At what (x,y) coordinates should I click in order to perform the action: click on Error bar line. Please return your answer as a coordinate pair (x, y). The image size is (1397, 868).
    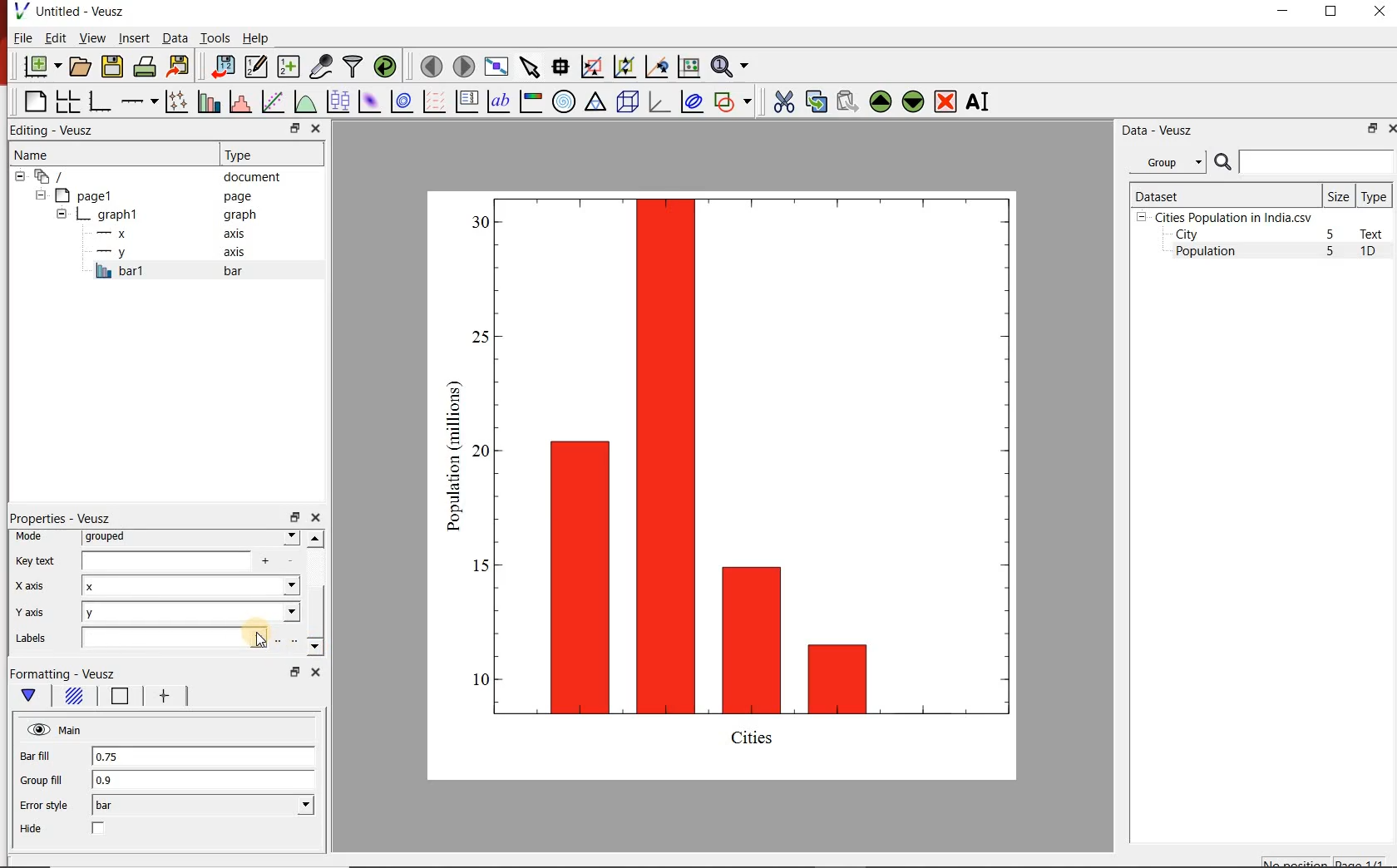
    Looking at the image, I should click on (161, 698).